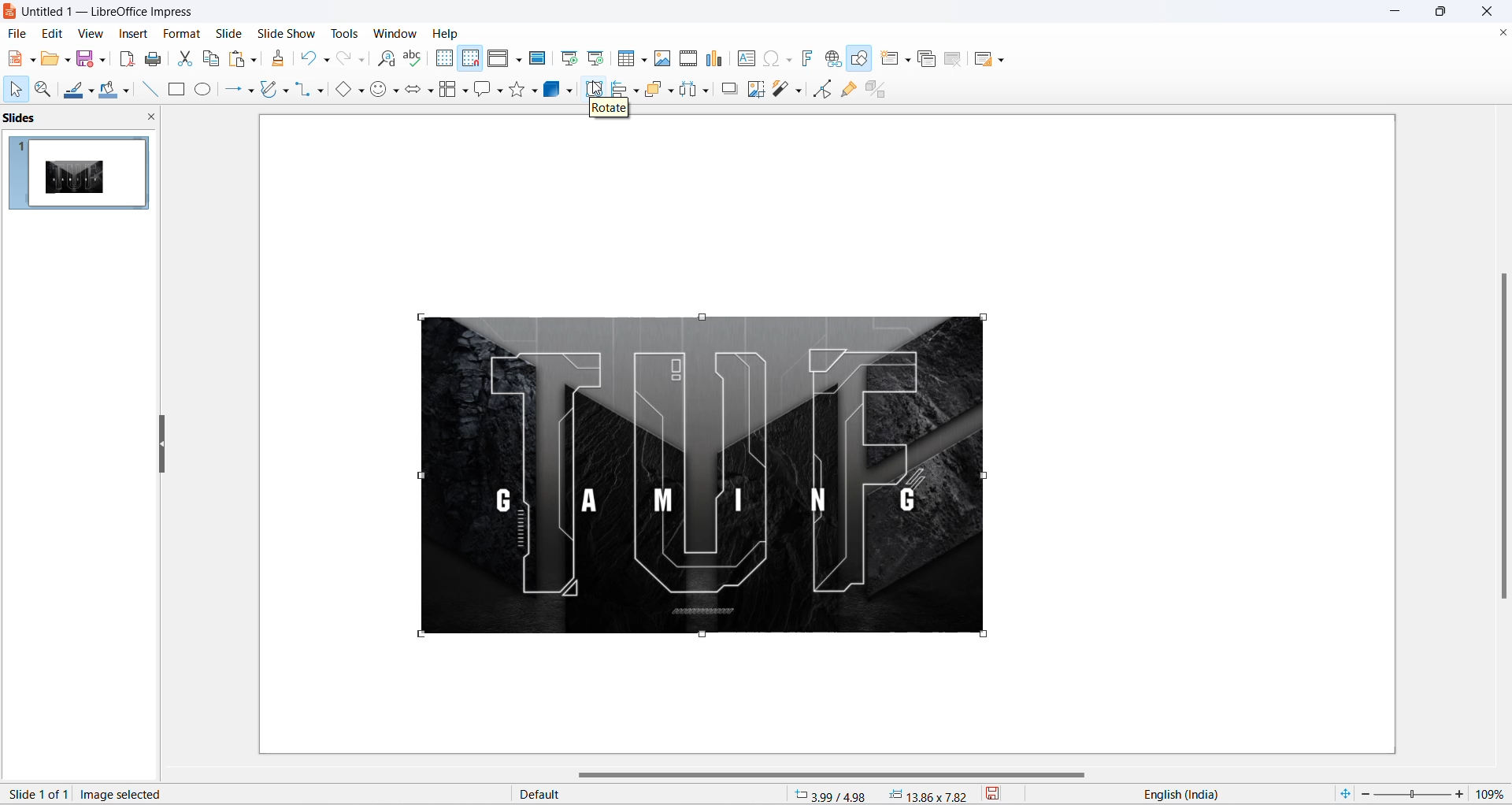 The width and height of the screenshot is (1512, 805). I want to click on undo options, so click(325, 61).